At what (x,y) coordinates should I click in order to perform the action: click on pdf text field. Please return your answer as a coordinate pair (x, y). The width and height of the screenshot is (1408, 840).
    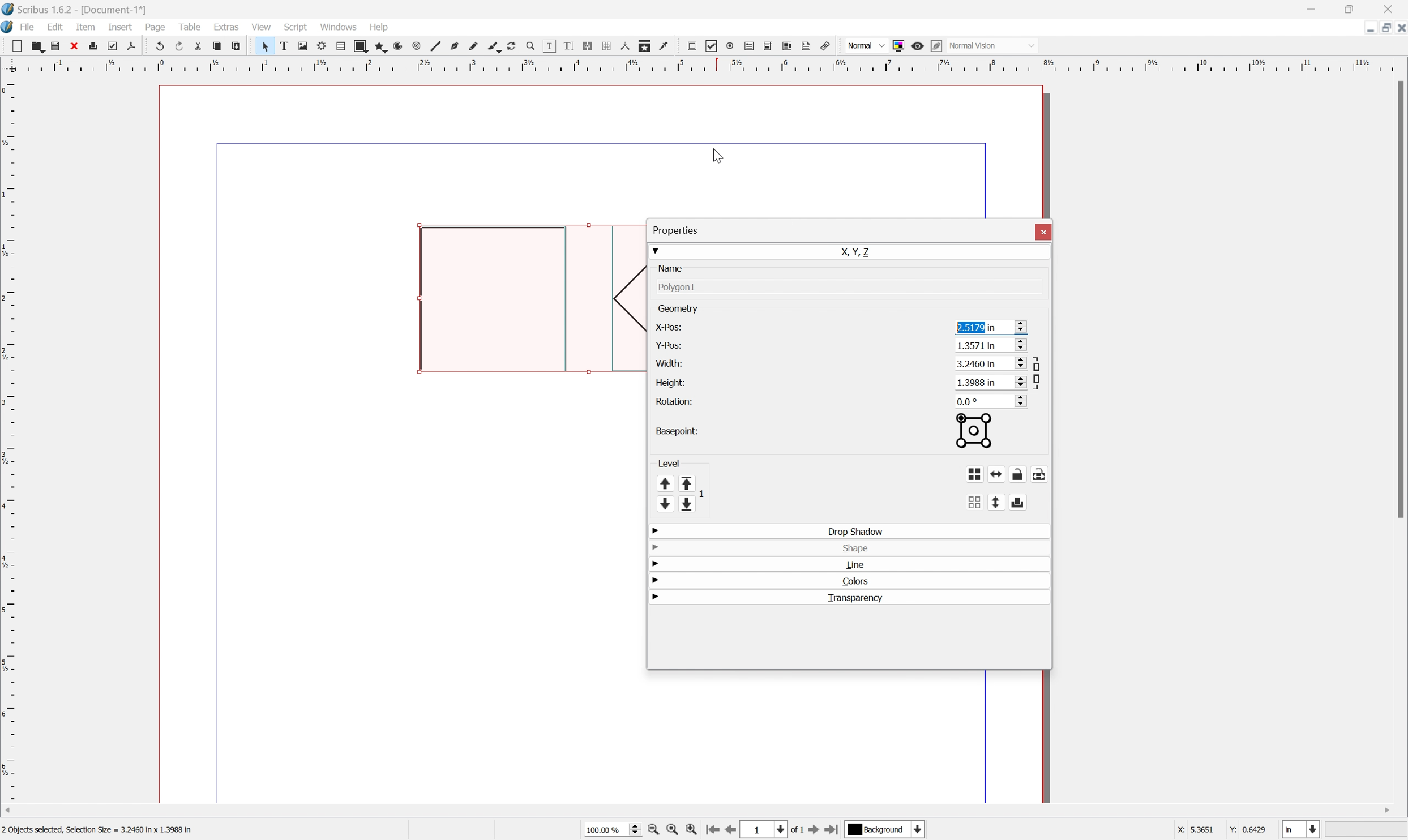
    Looking at the image, I should click on (748, 45).